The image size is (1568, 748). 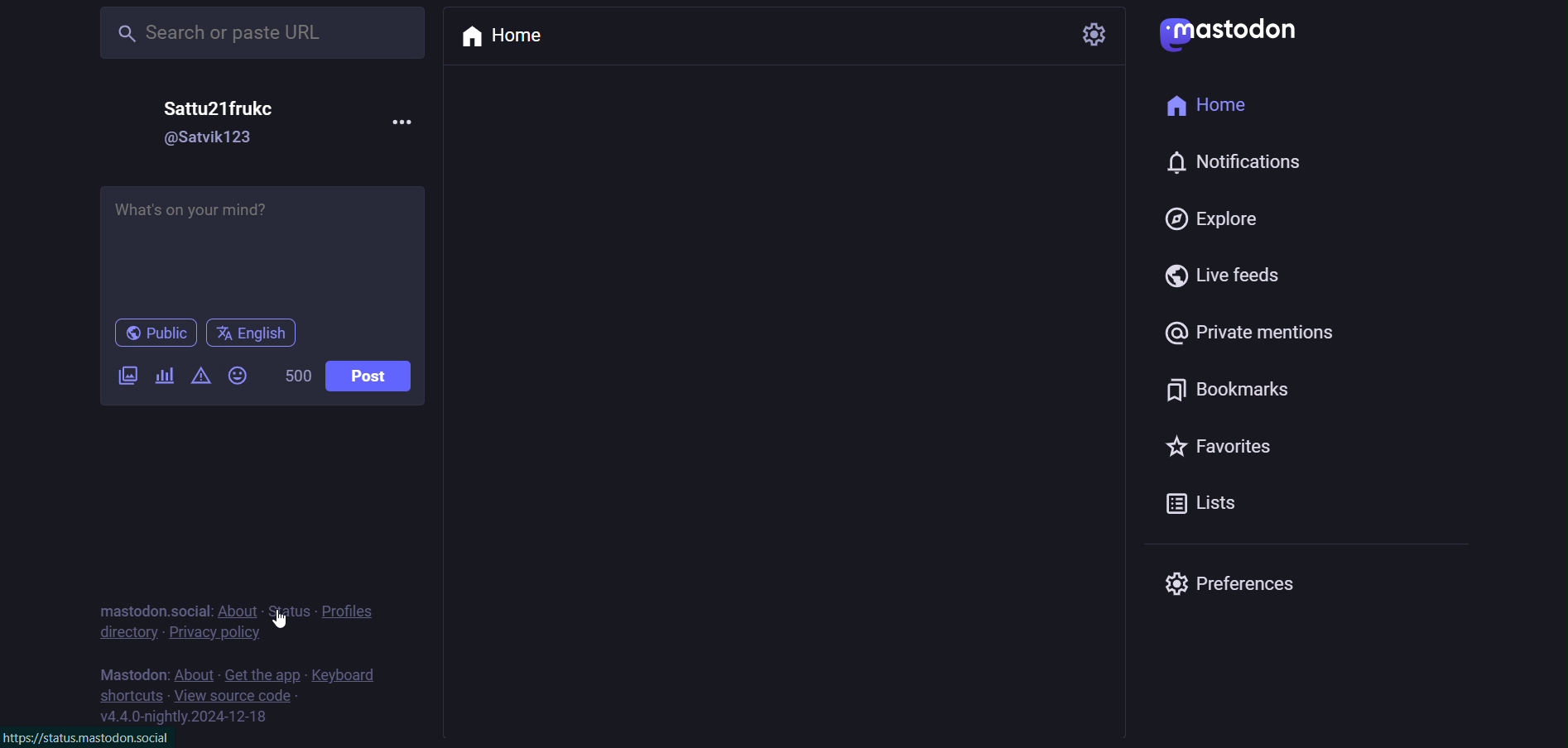 What do you see at coordinates (154, 333) in the screenshot?
I see `public` at bounding box center [154, 333].